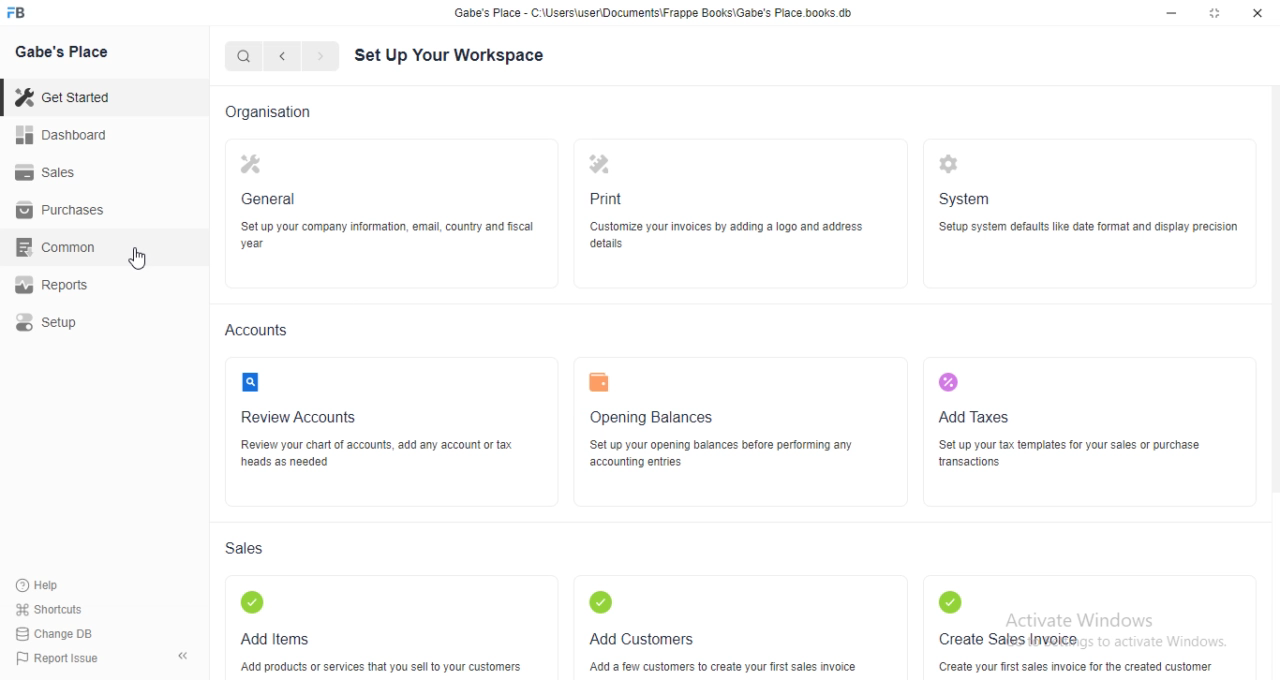  I want to click on Add Items, so click(278, 619).